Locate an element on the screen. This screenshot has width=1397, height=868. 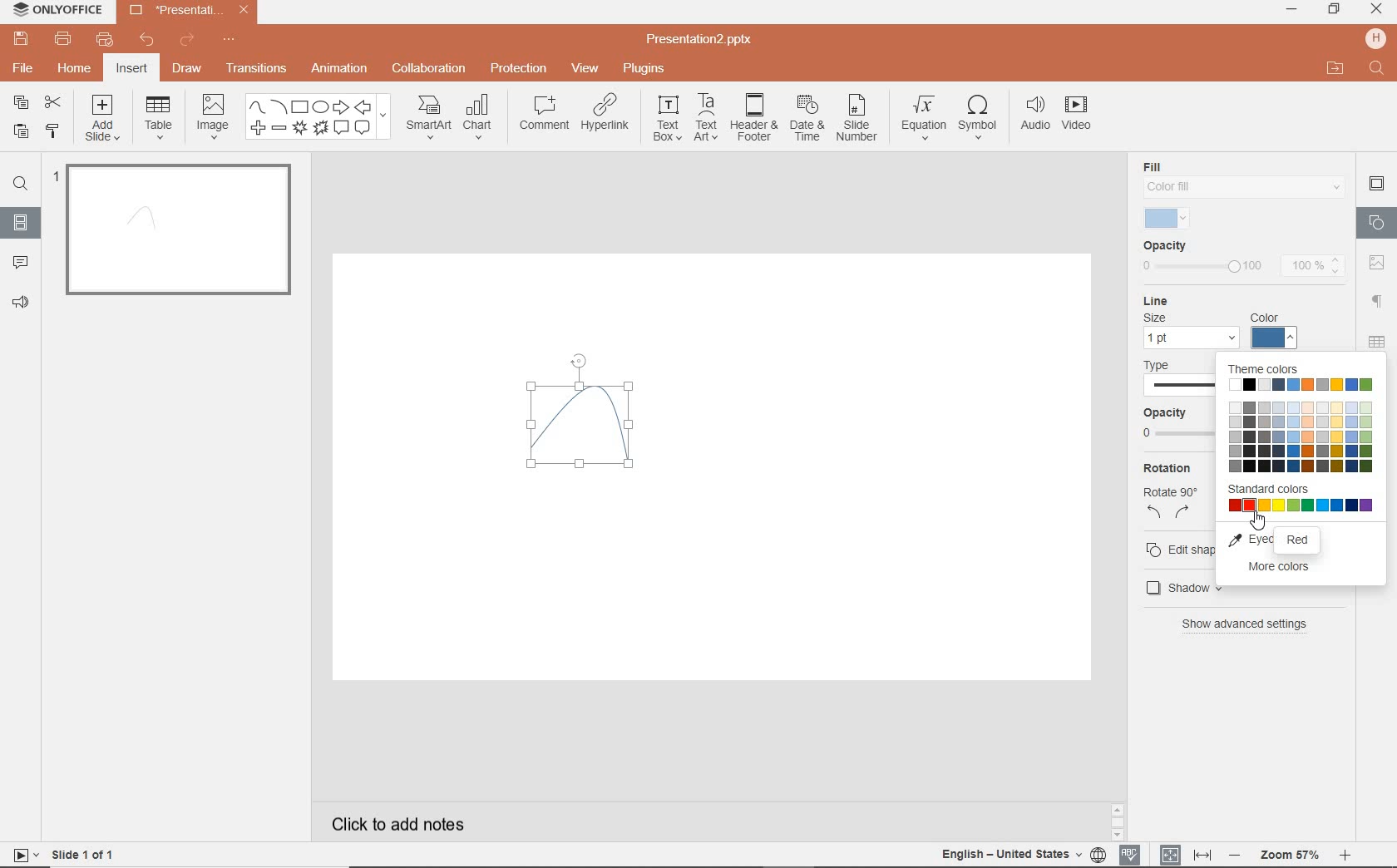
CLICK TO ADD NOTES is located at coordinates (403, 824).